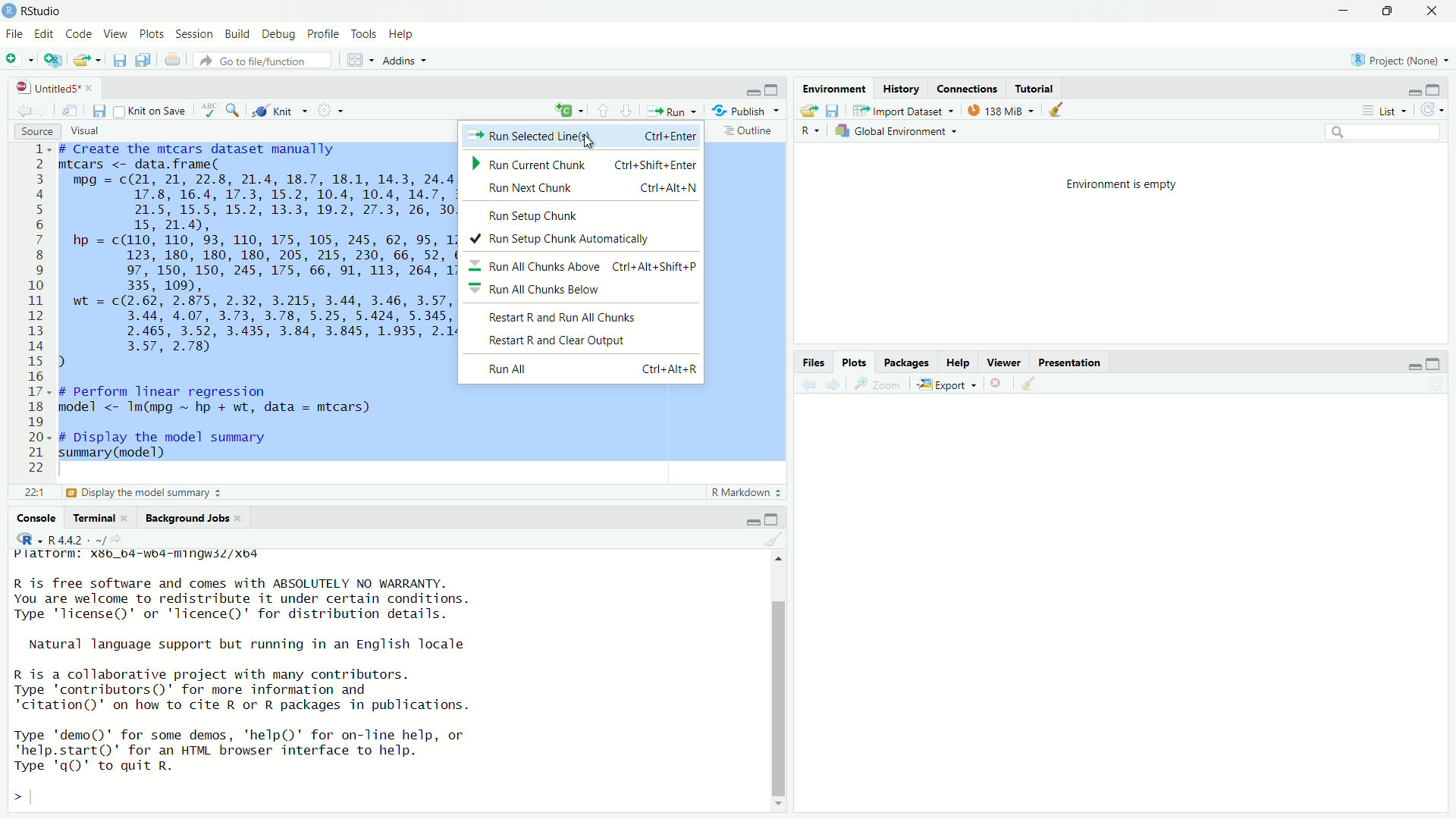  I want to click on clear all objects, so click(1063, 110).